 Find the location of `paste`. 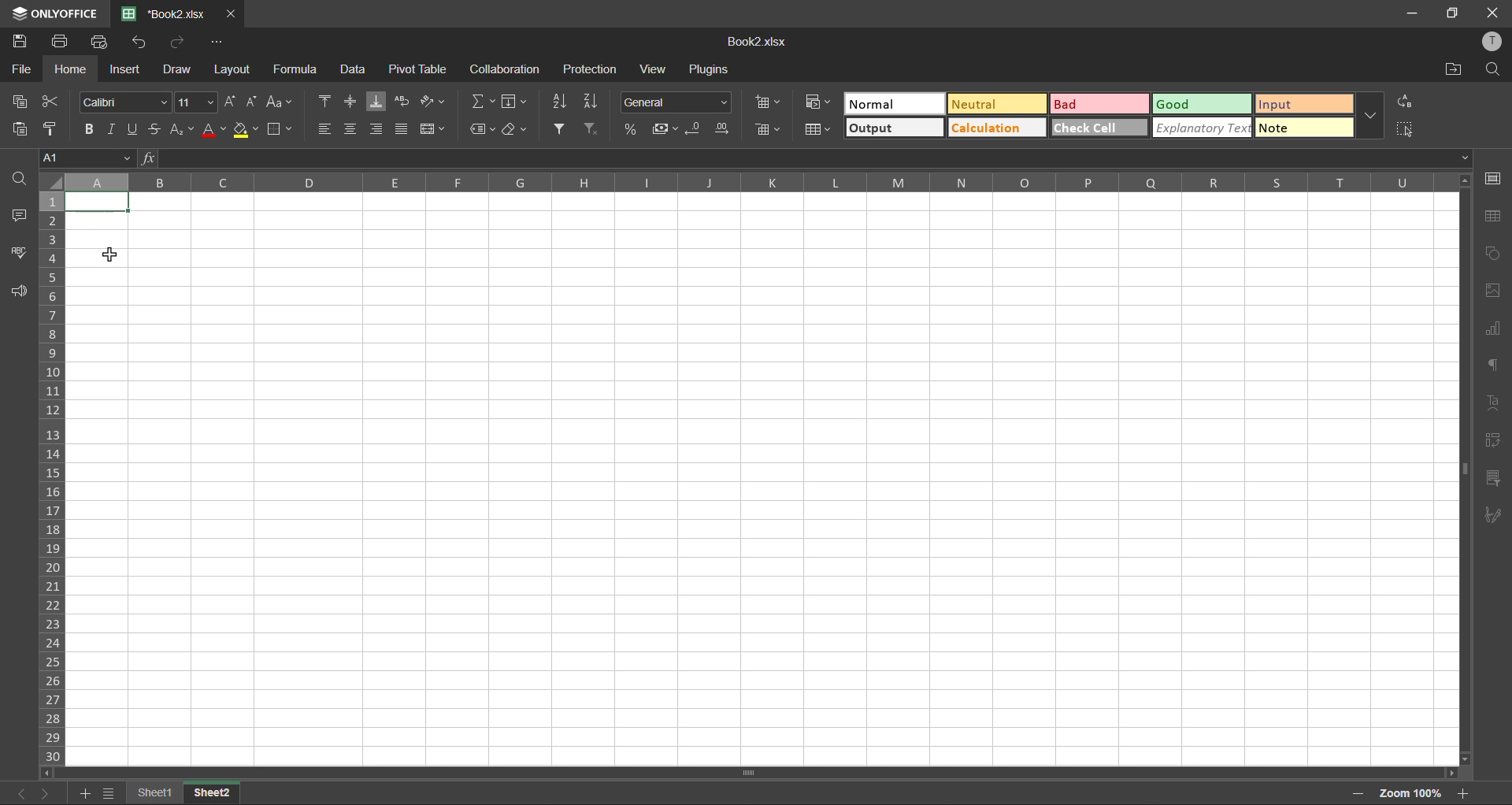

paste is located at coordinates (24, 130).